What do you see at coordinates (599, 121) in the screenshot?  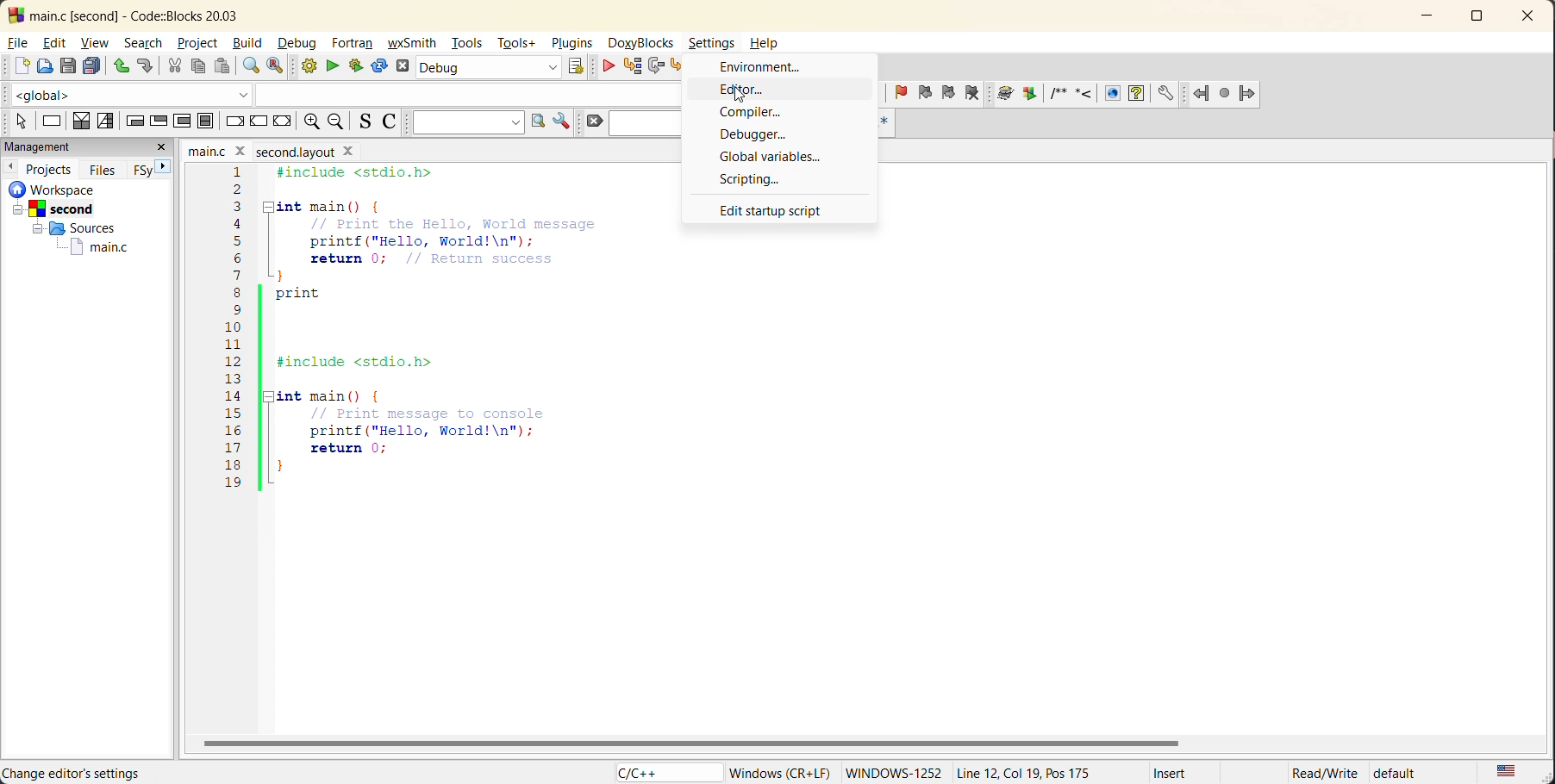 I see `clear` at bounding box center [599, 121].